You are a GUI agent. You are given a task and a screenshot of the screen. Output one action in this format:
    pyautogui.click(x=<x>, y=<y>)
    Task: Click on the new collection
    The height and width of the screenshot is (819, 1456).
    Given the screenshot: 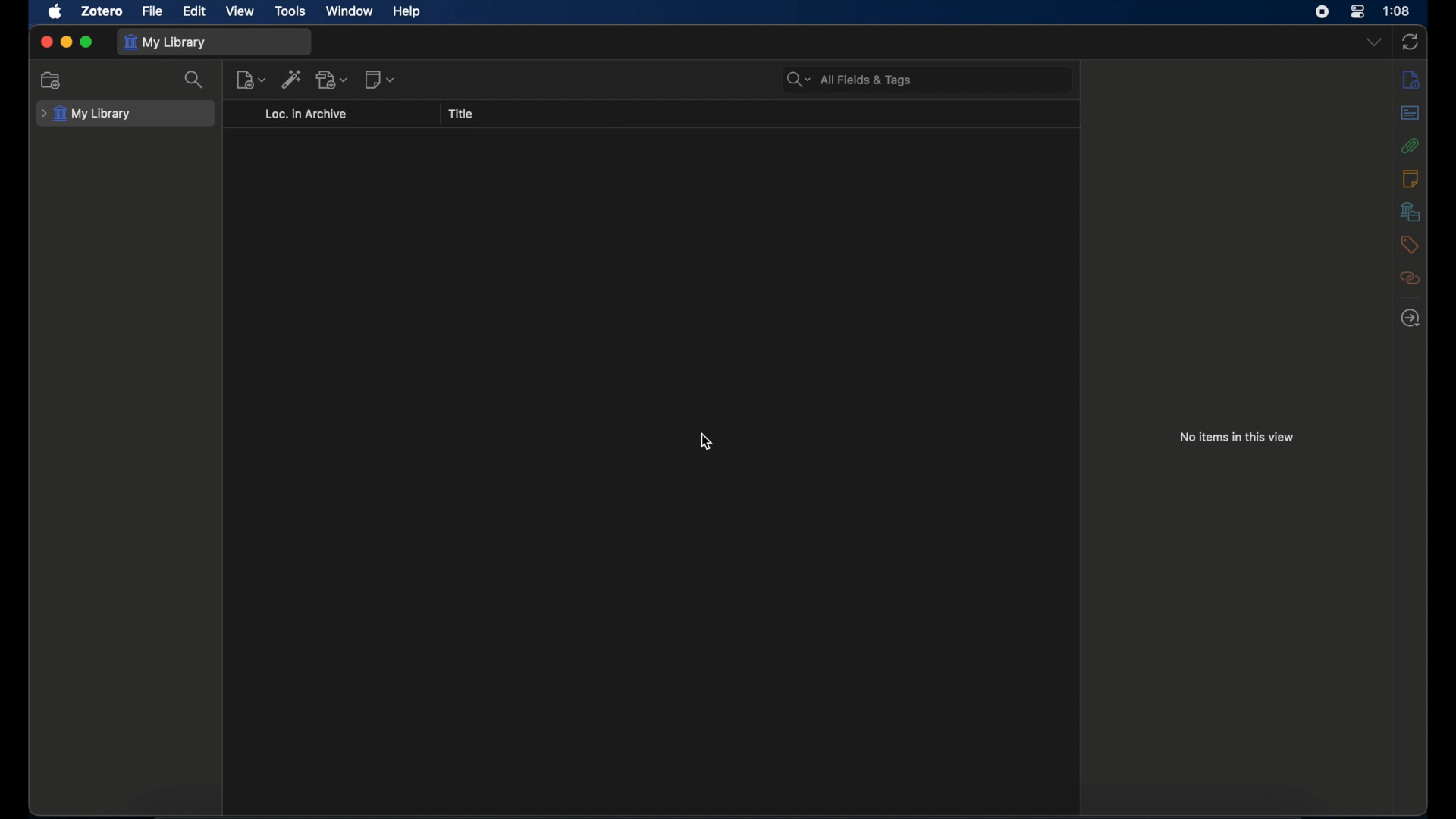 What is the action you would take?
    pyautogui.click(x=51, y=80)
    